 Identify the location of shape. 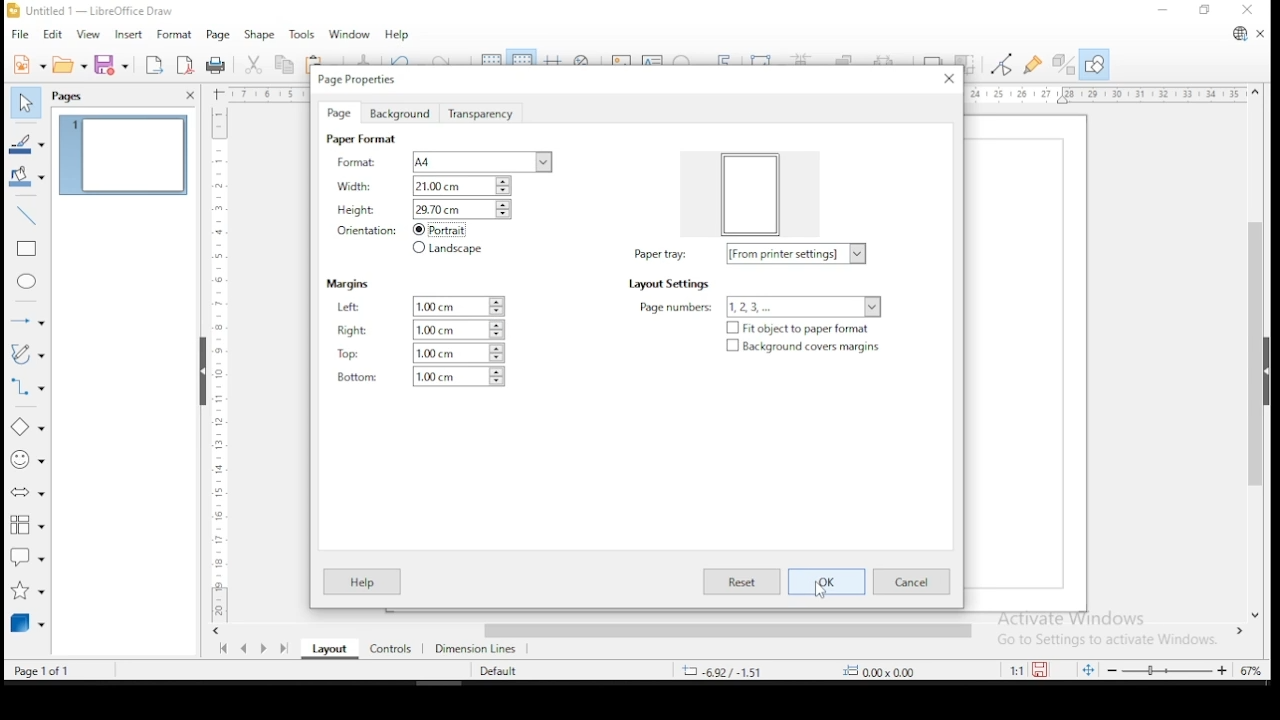
(264, 35).